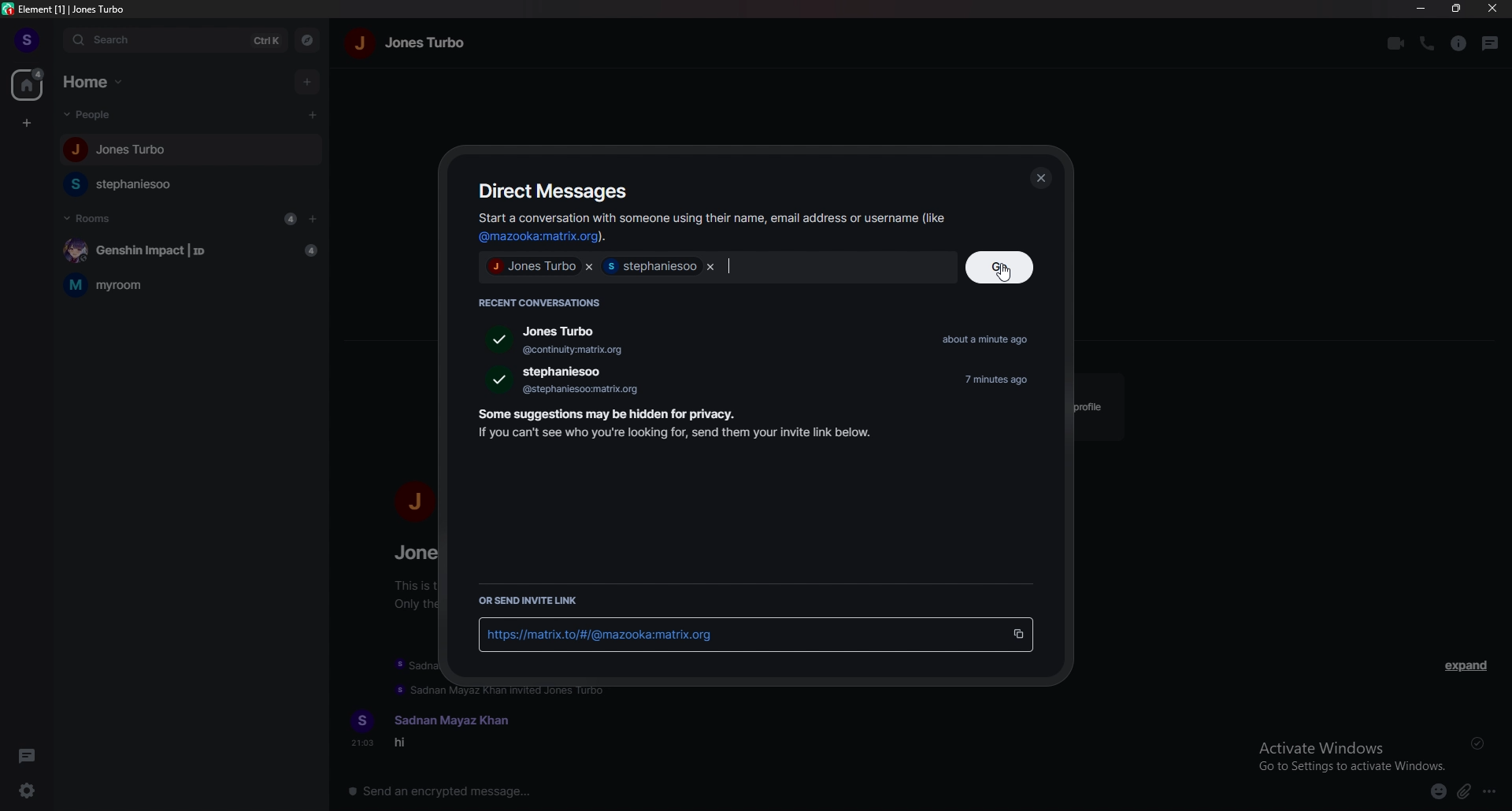  What do you see at coordinates (290, 219) in the screenshot?
I see `4` at bounding box center [290, 219].